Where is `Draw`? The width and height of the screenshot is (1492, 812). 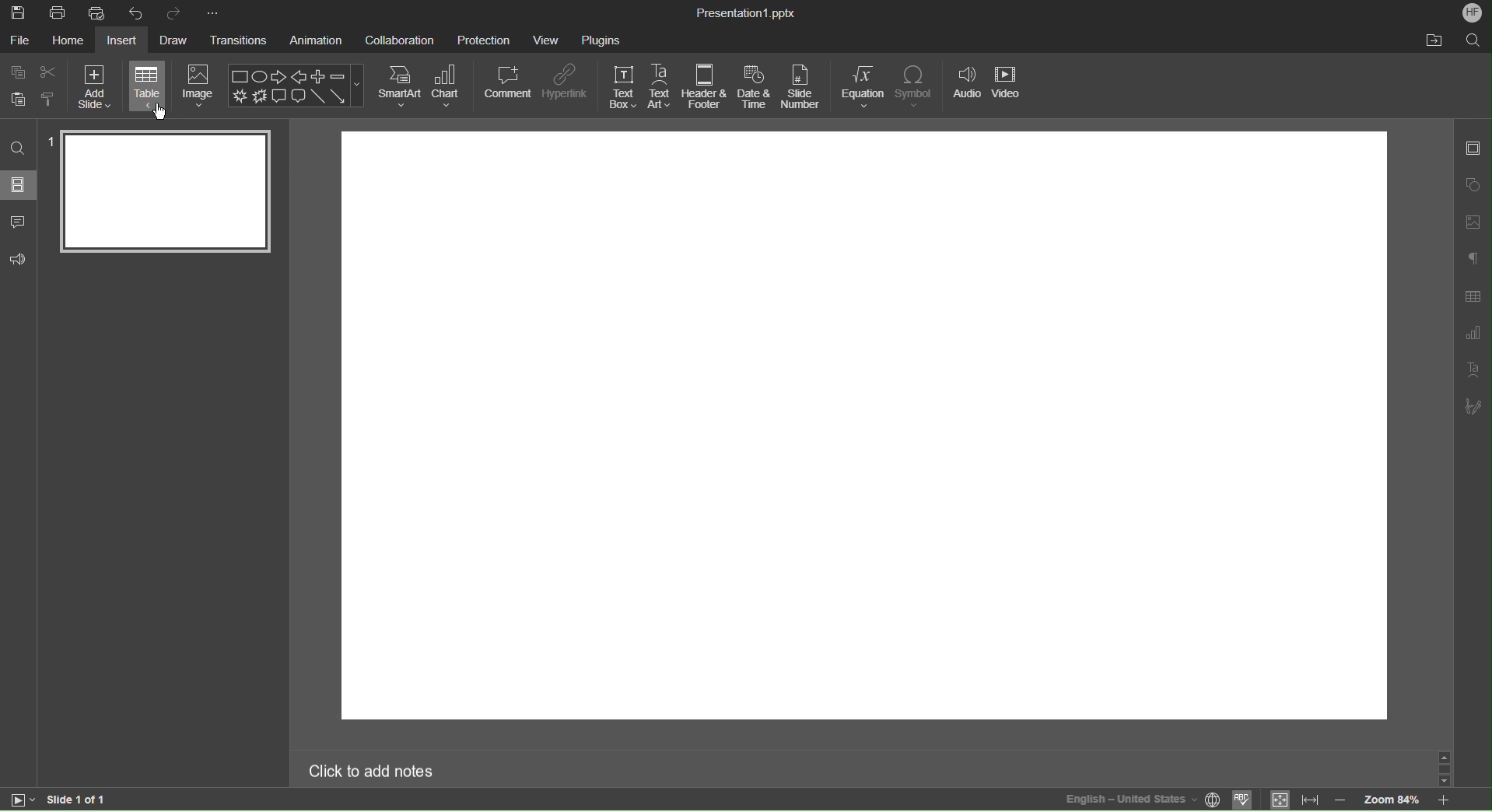 Draw is located at coordinates (176, 41).